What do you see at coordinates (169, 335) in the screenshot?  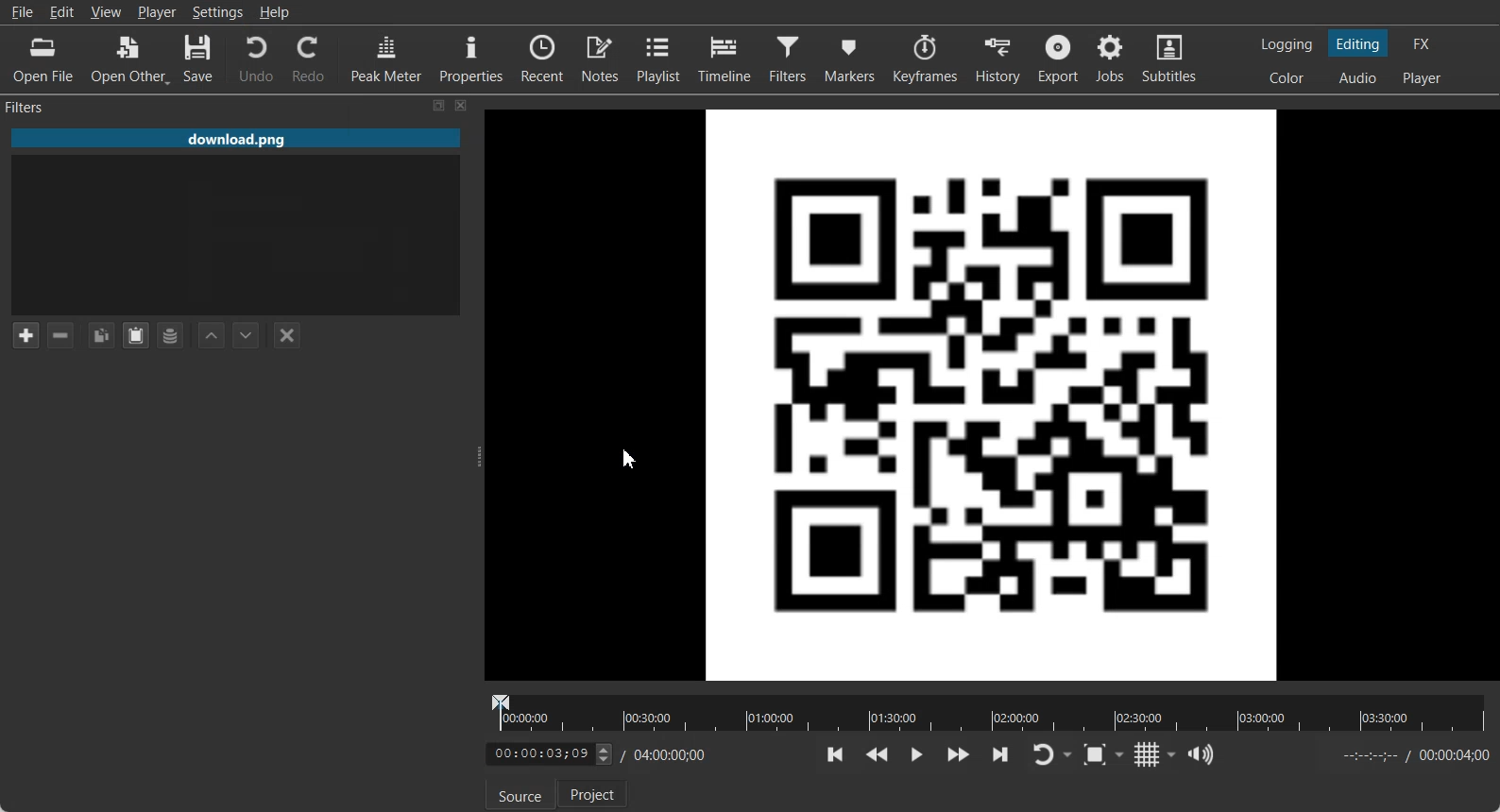 I see `` at bounding box center [169, 335].